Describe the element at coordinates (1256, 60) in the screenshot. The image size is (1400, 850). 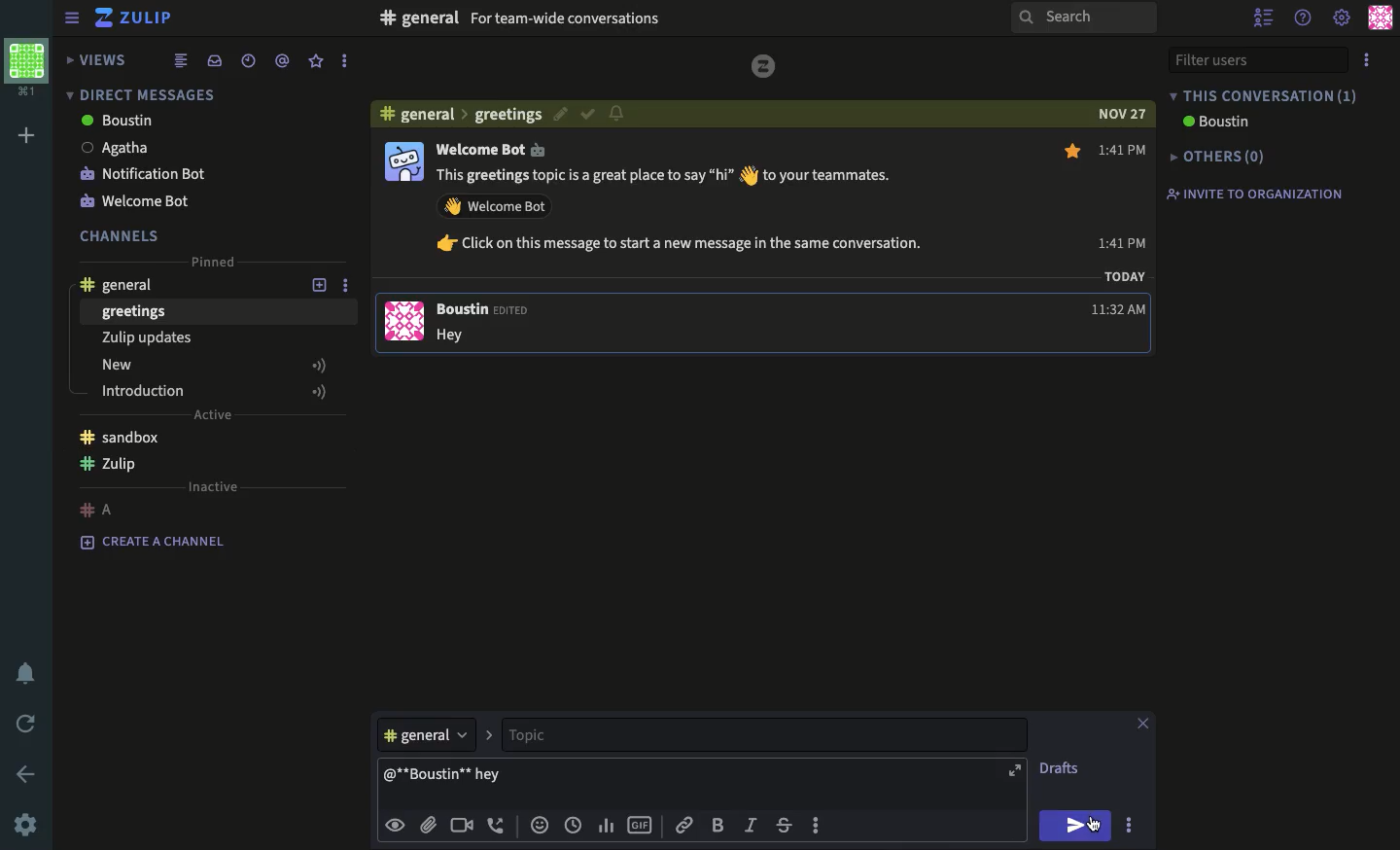
I see `filter users` at that location.